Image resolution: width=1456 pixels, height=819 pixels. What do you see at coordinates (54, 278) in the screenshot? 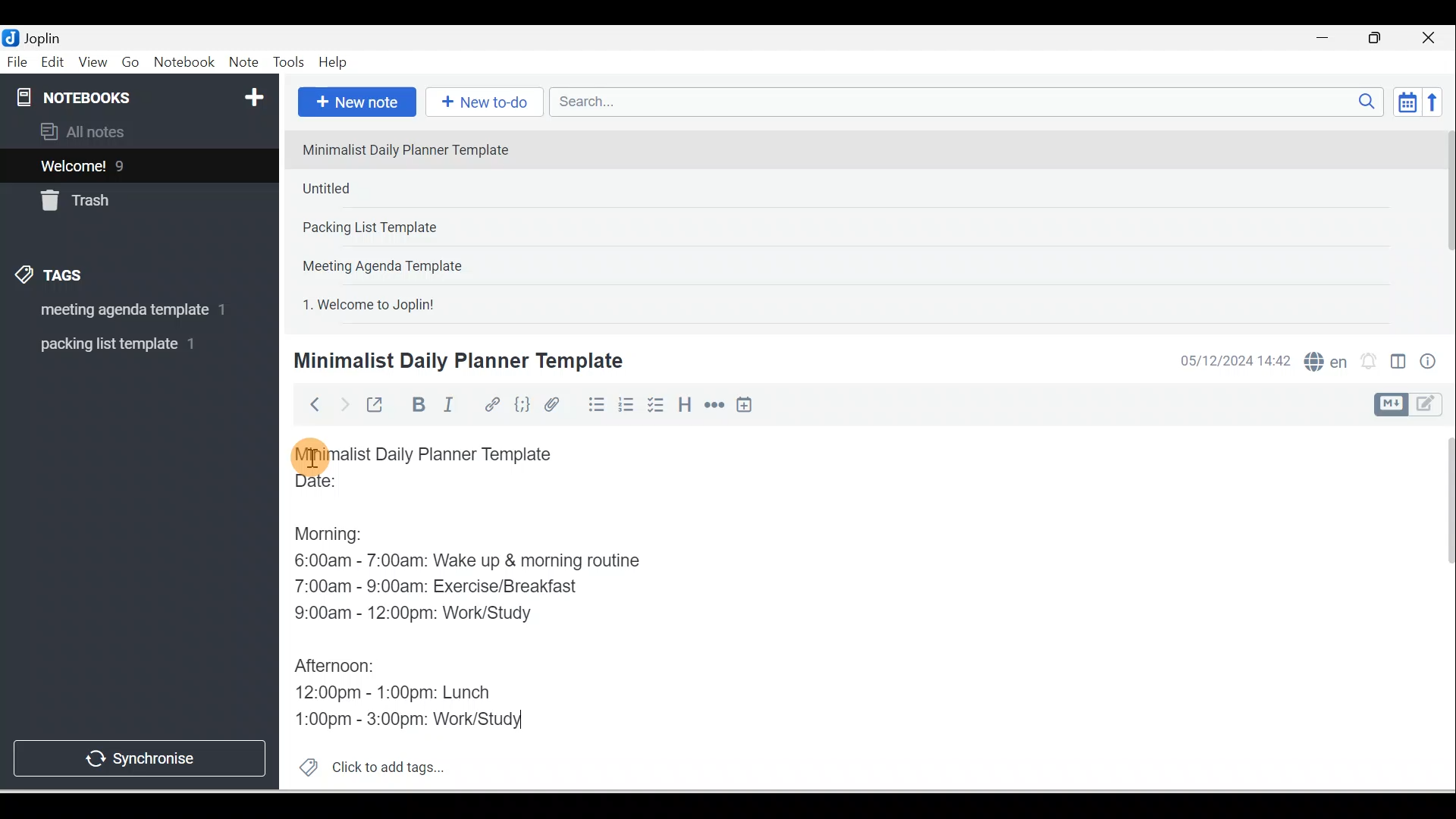
I see `Tags` at bounding box center [54, 278].